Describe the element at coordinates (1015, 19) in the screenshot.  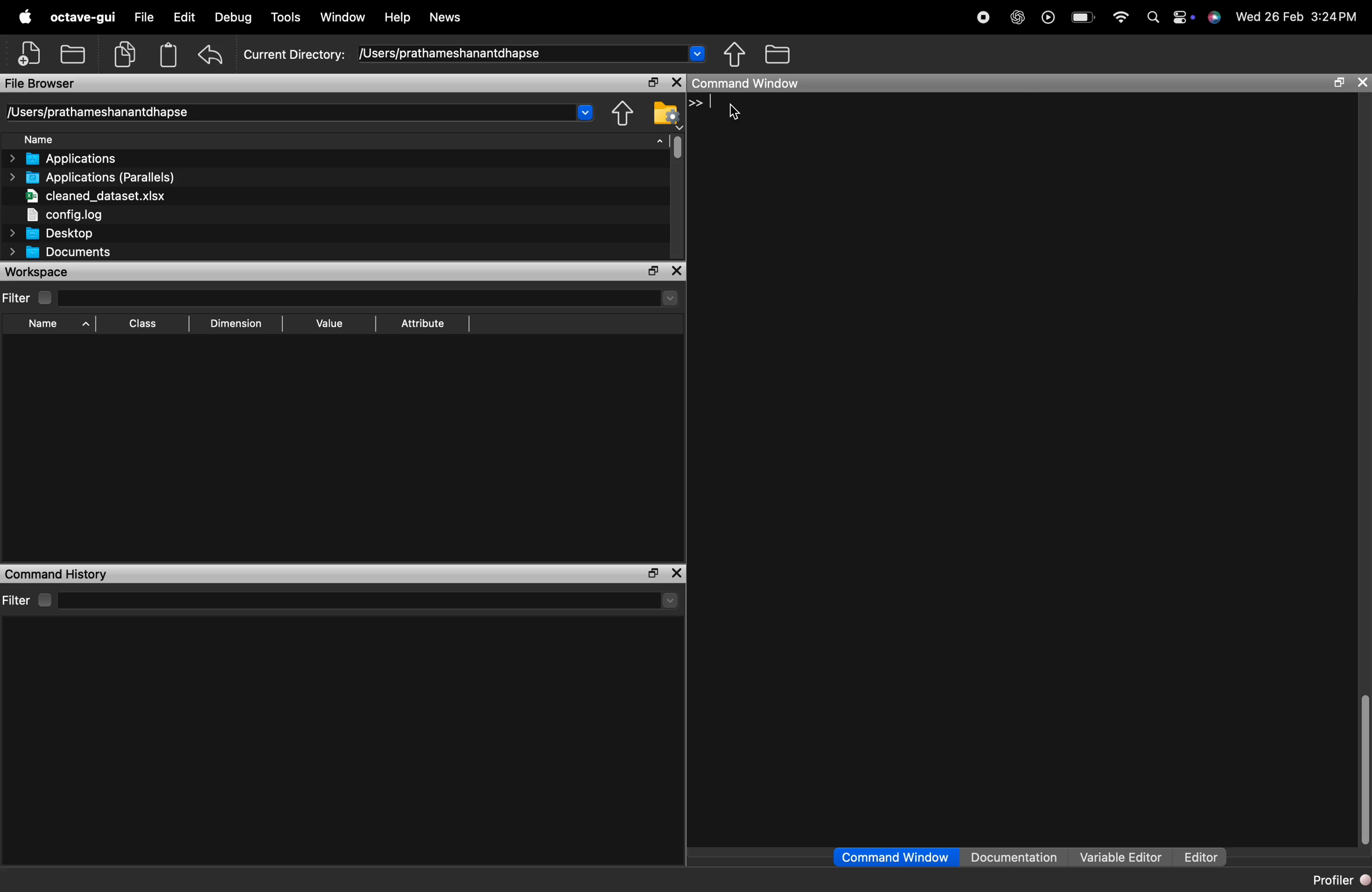
I see `chat GPT` at that location.